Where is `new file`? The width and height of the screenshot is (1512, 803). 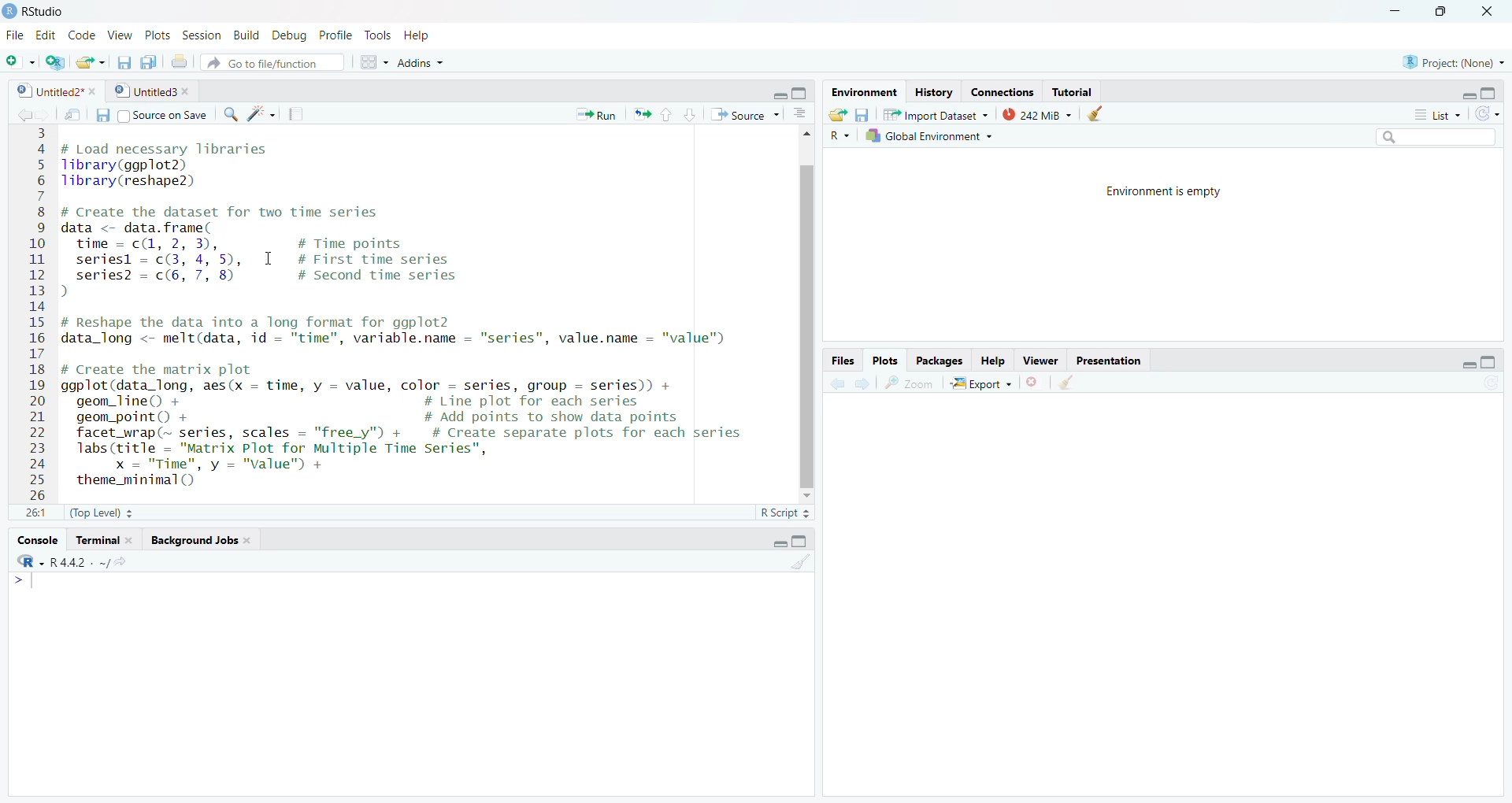
new file is located at coordinates (20, 62).